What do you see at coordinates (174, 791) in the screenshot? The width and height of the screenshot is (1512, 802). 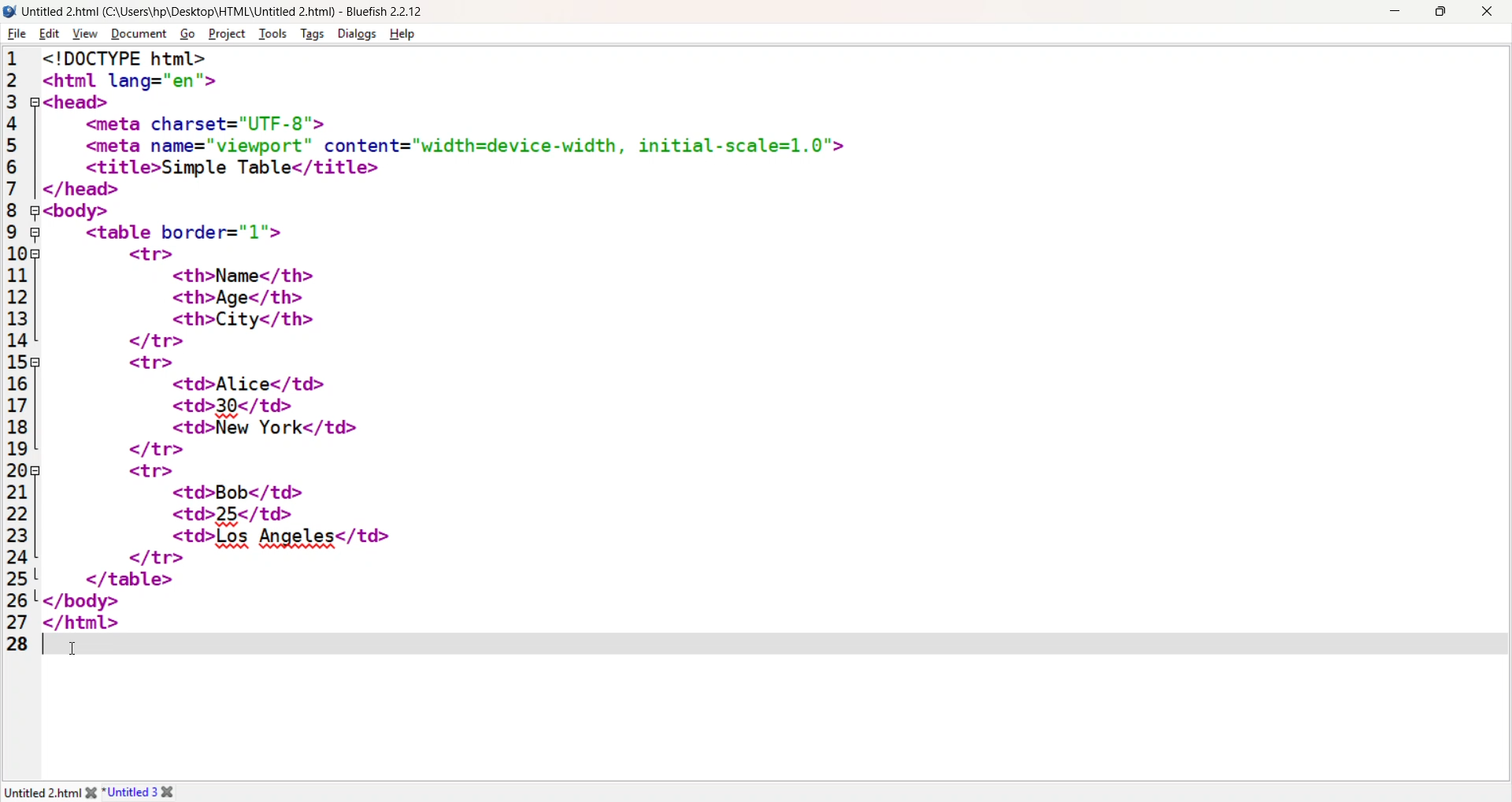 I see `close file 2` at bounding box center [174, 791].